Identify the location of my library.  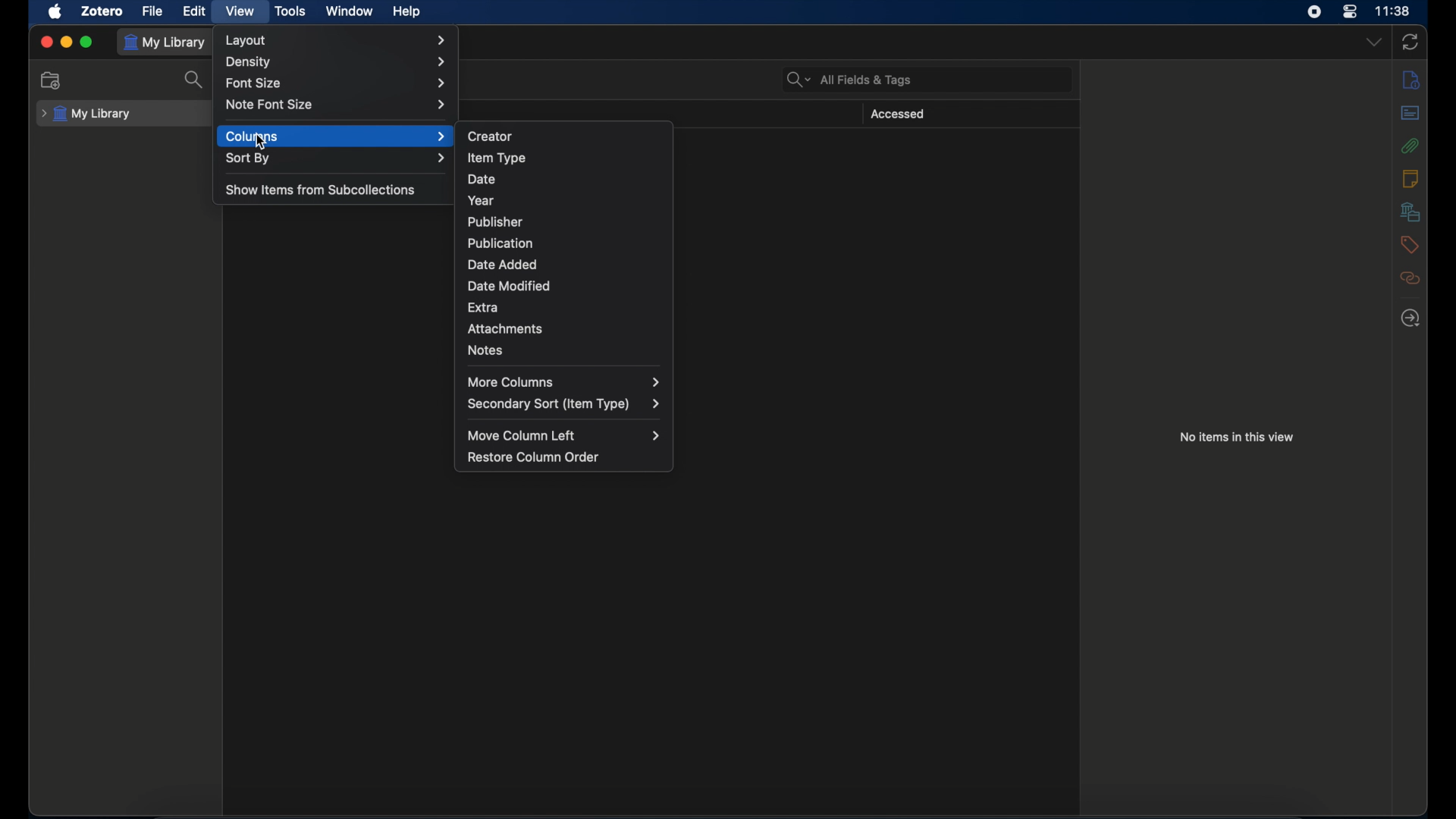
(167, 42).